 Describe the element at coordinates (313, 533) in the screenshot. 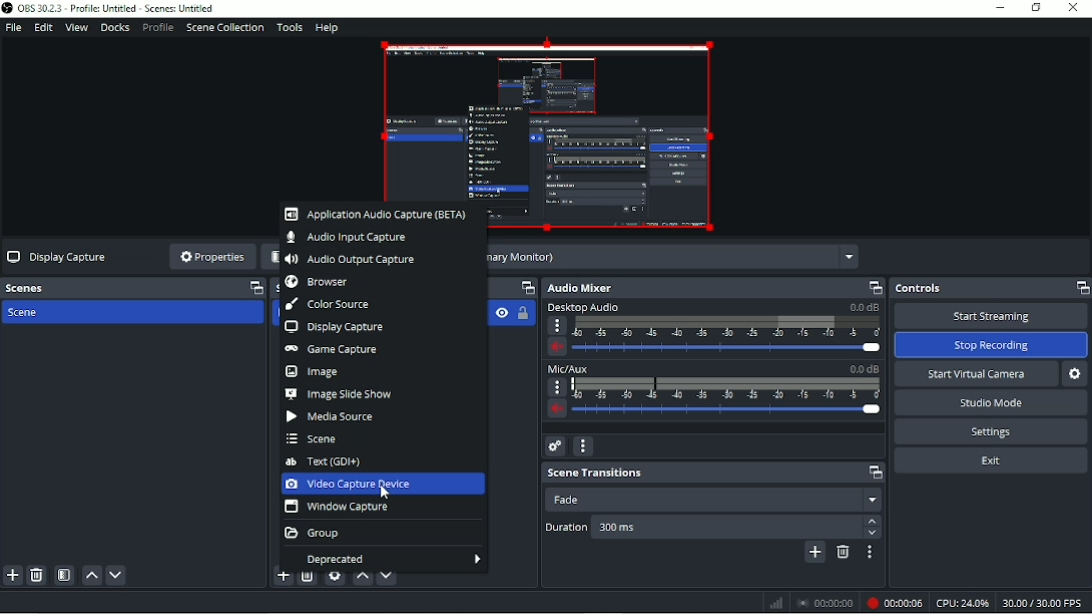

I see `Group` at that location.